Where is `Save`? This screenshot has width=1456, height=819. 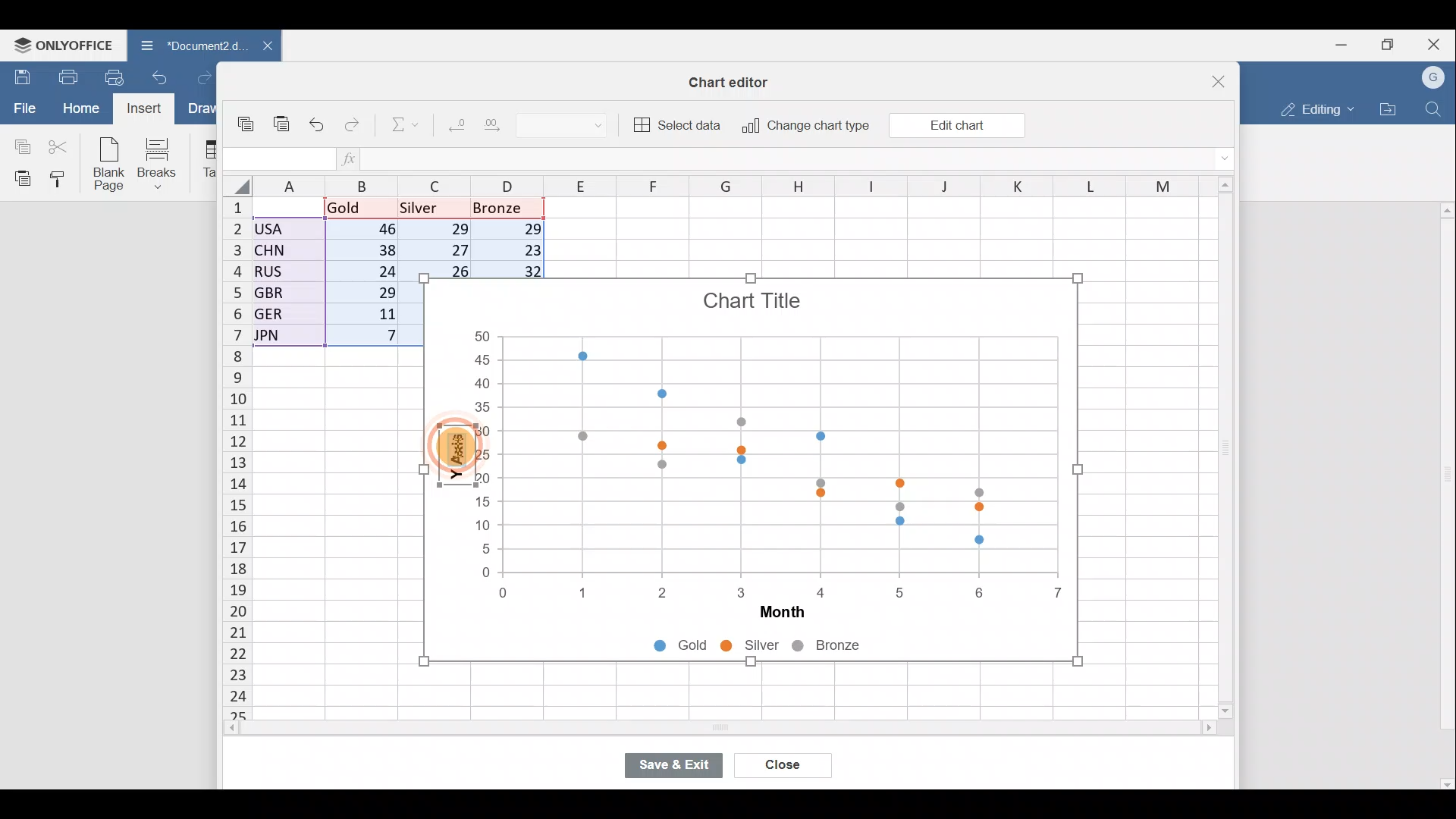
Save is located at coordinates (19, 75).